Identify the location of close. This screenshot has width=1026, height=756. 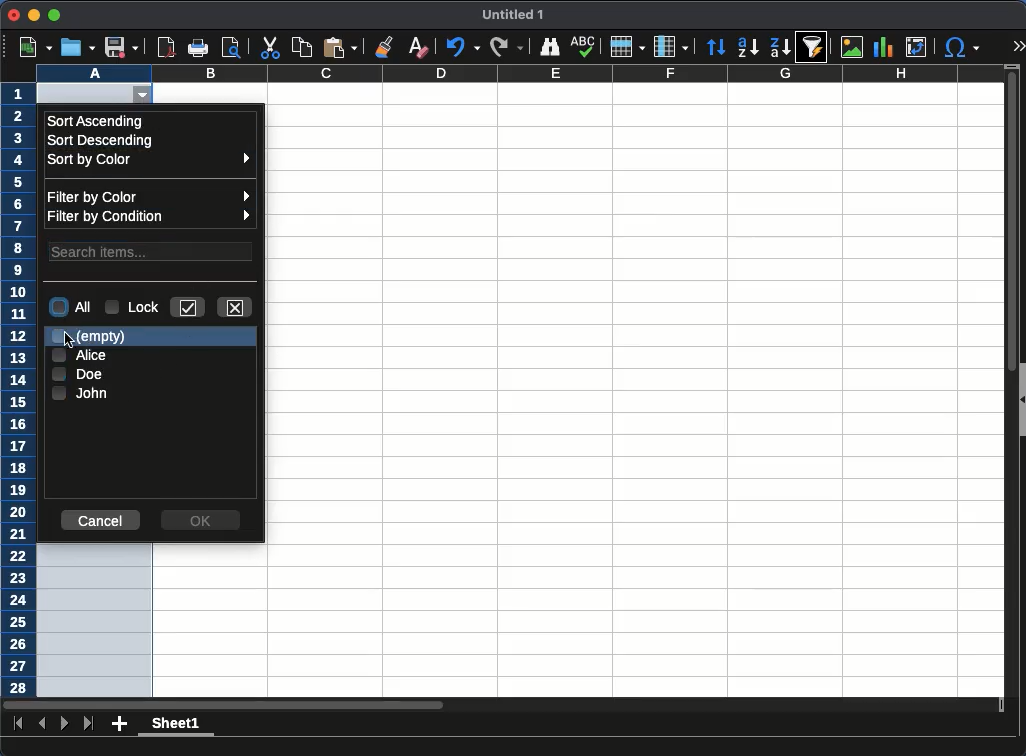
(237, 308).